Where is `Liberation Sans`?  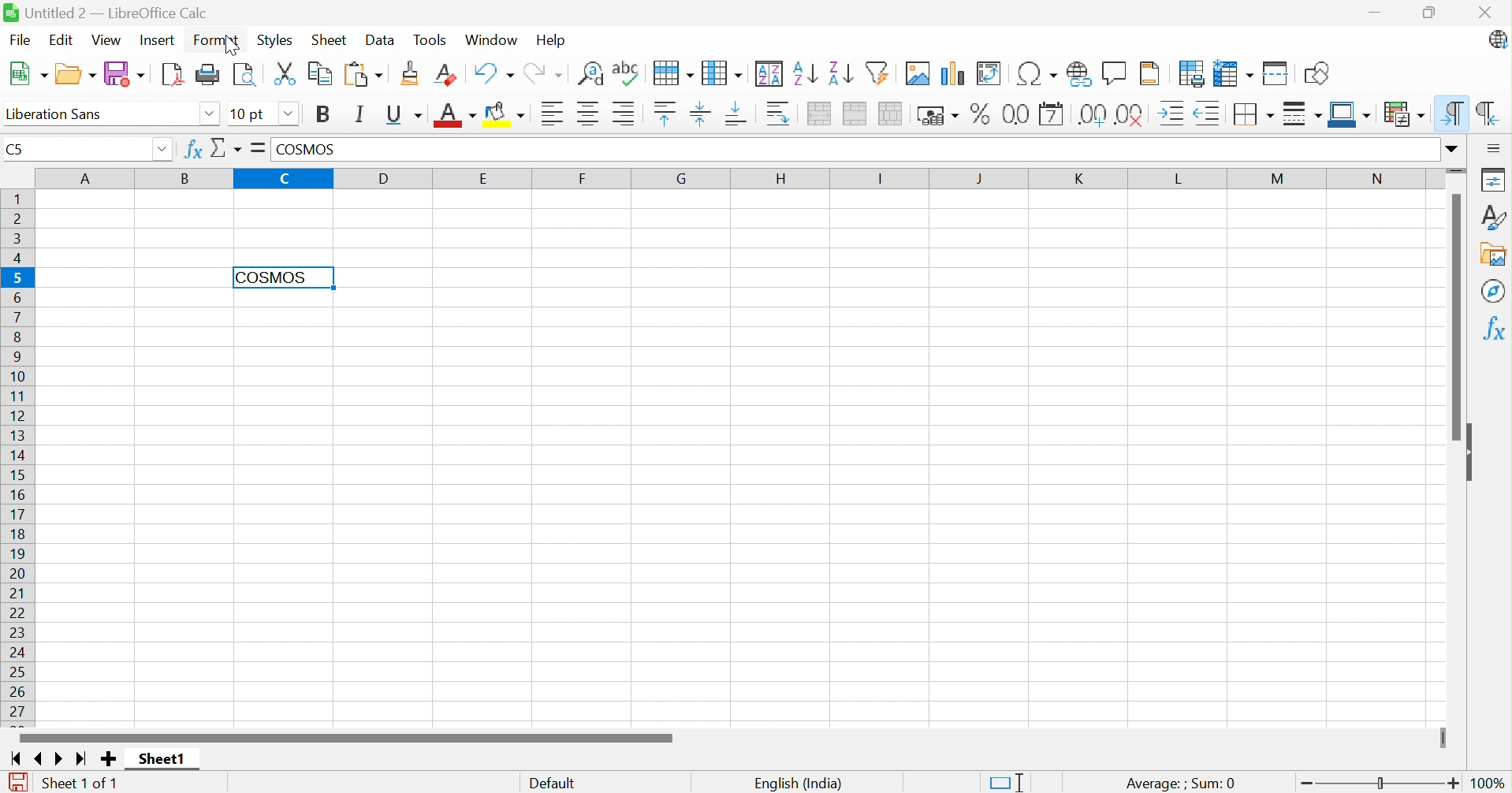 Liberation Sans is located at coordinates (61, 114).